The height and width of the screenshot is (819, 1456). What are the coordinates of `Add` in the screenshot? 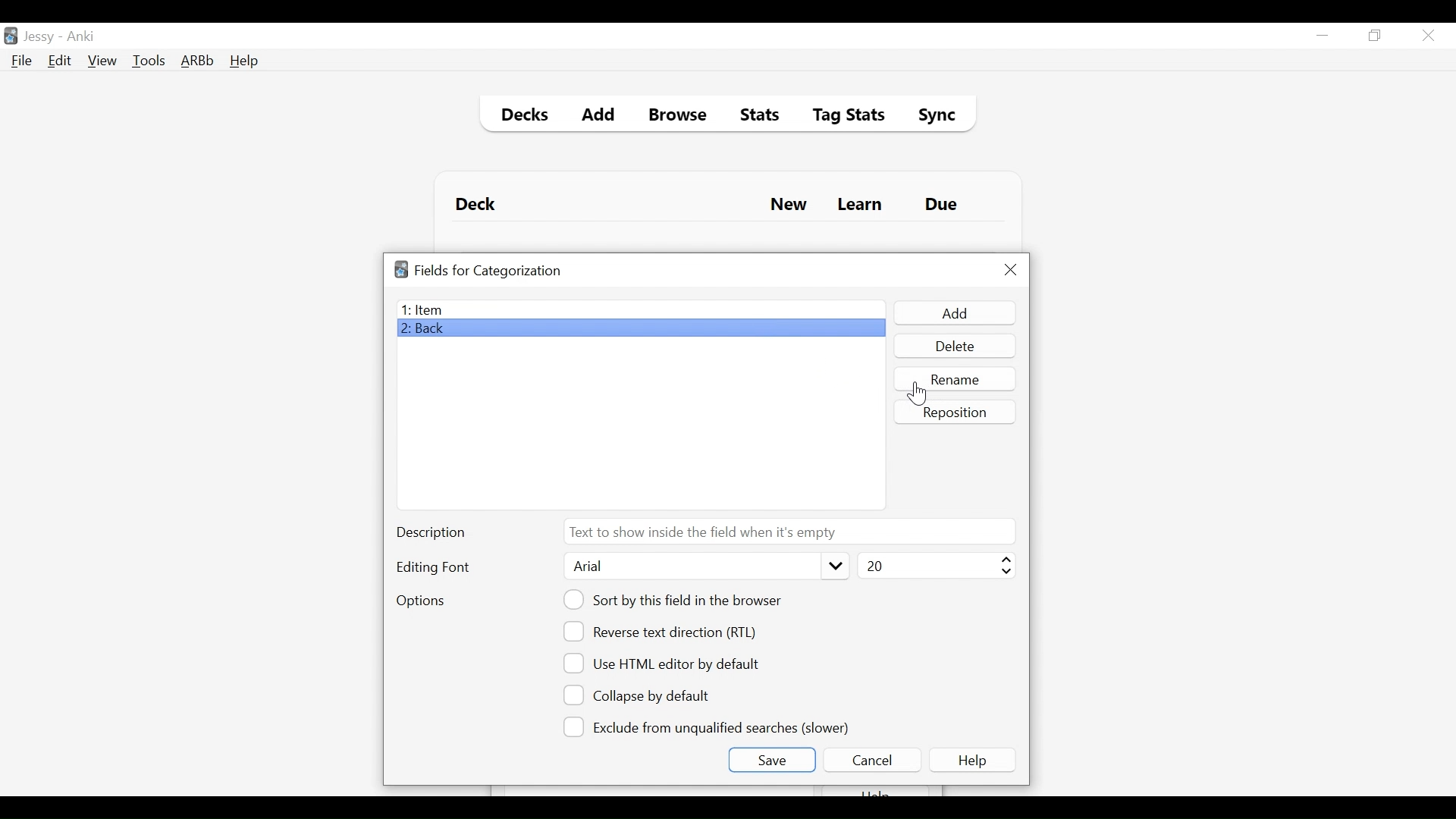 It's located at (953, 313).